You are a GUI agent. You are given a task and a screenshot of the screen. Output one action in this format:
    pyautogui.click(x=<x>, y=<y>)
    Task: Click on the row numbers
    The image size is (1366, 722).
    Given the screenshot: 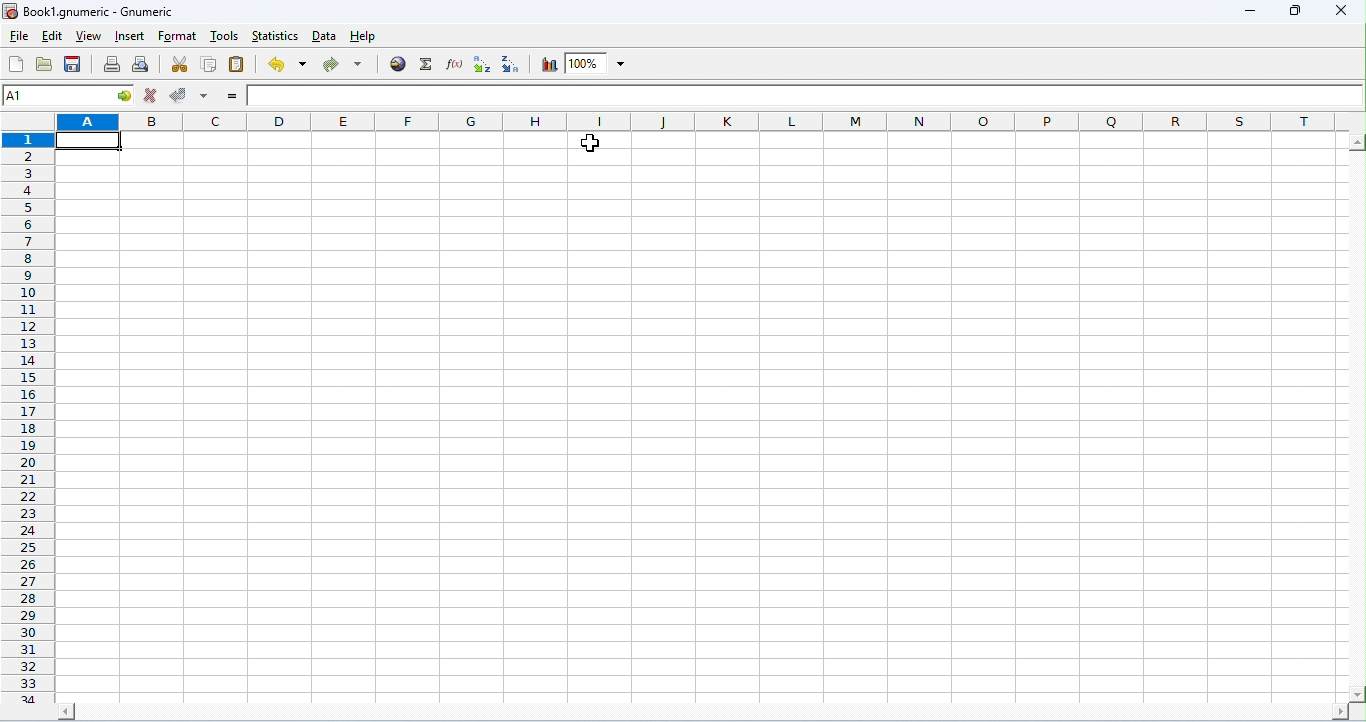 What is the action you would take?
    pyautogui.click(x=28, y=417)
    